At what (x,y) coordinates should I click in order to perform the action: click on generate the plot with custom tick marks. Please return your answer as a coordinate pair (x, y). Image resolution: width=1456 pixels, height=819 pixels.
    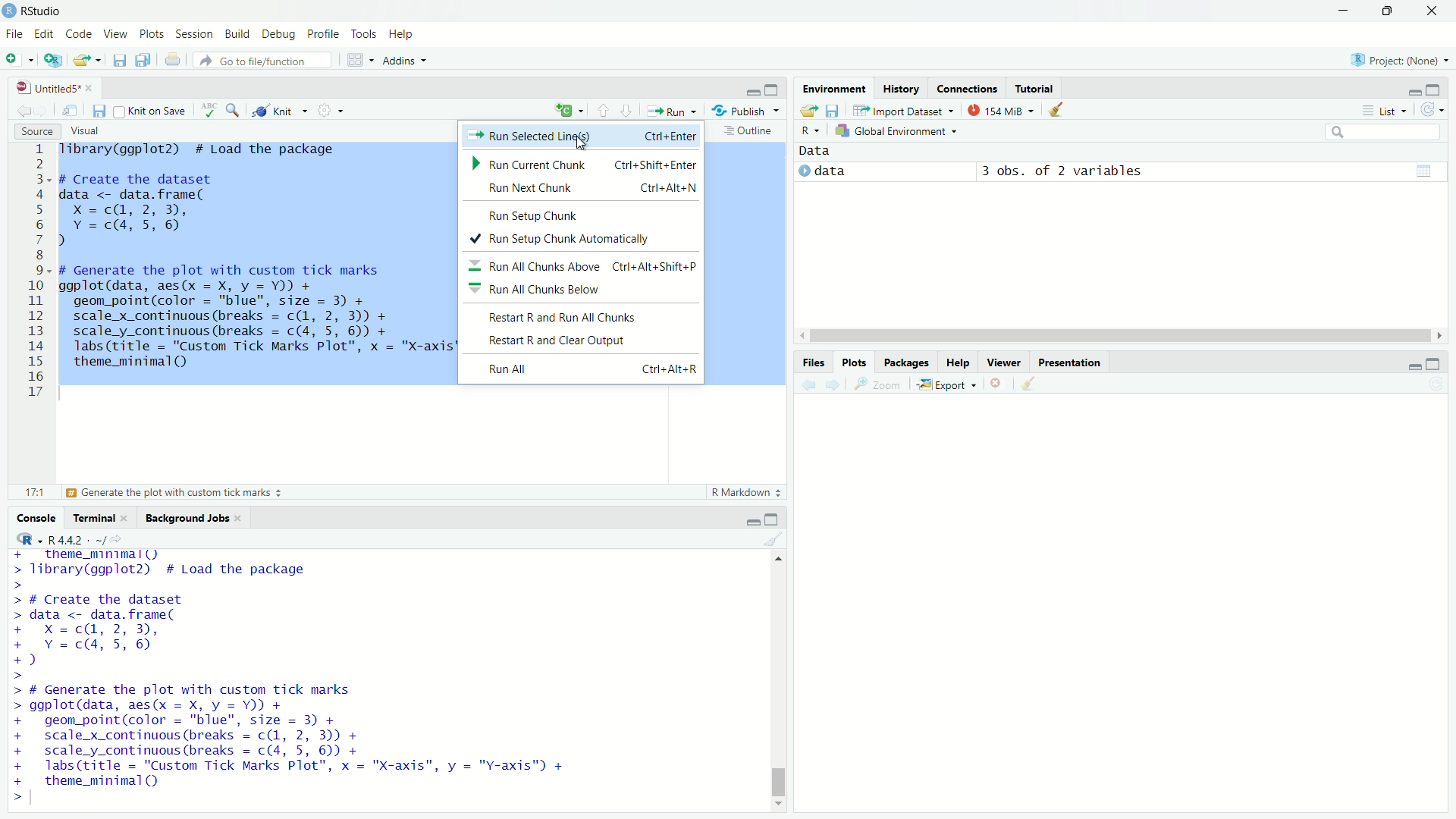
    Looking at the image, I should click on (181, 493).